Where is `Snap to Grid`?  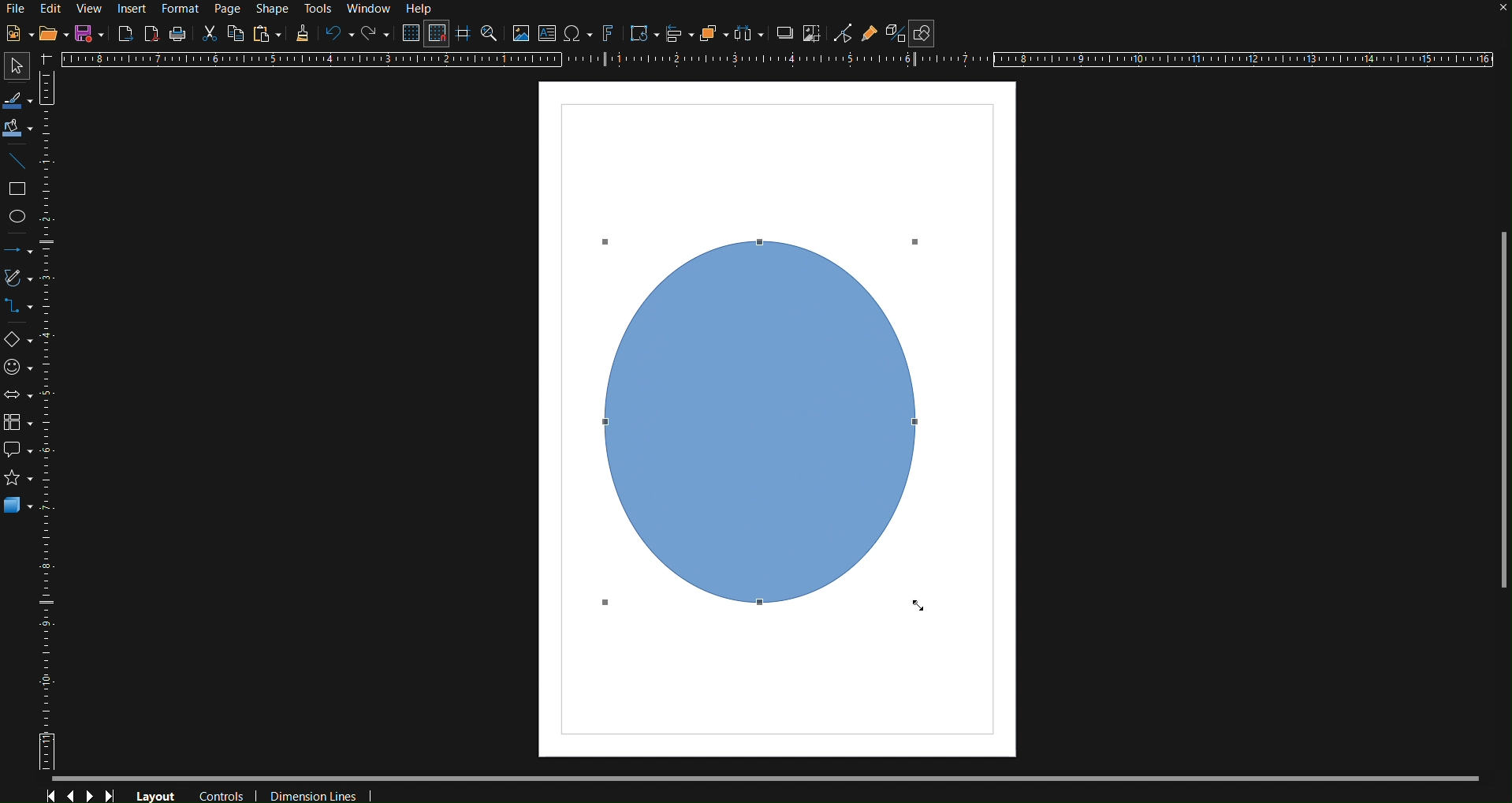 Snap to Grid is located at coordinates (437, 35).